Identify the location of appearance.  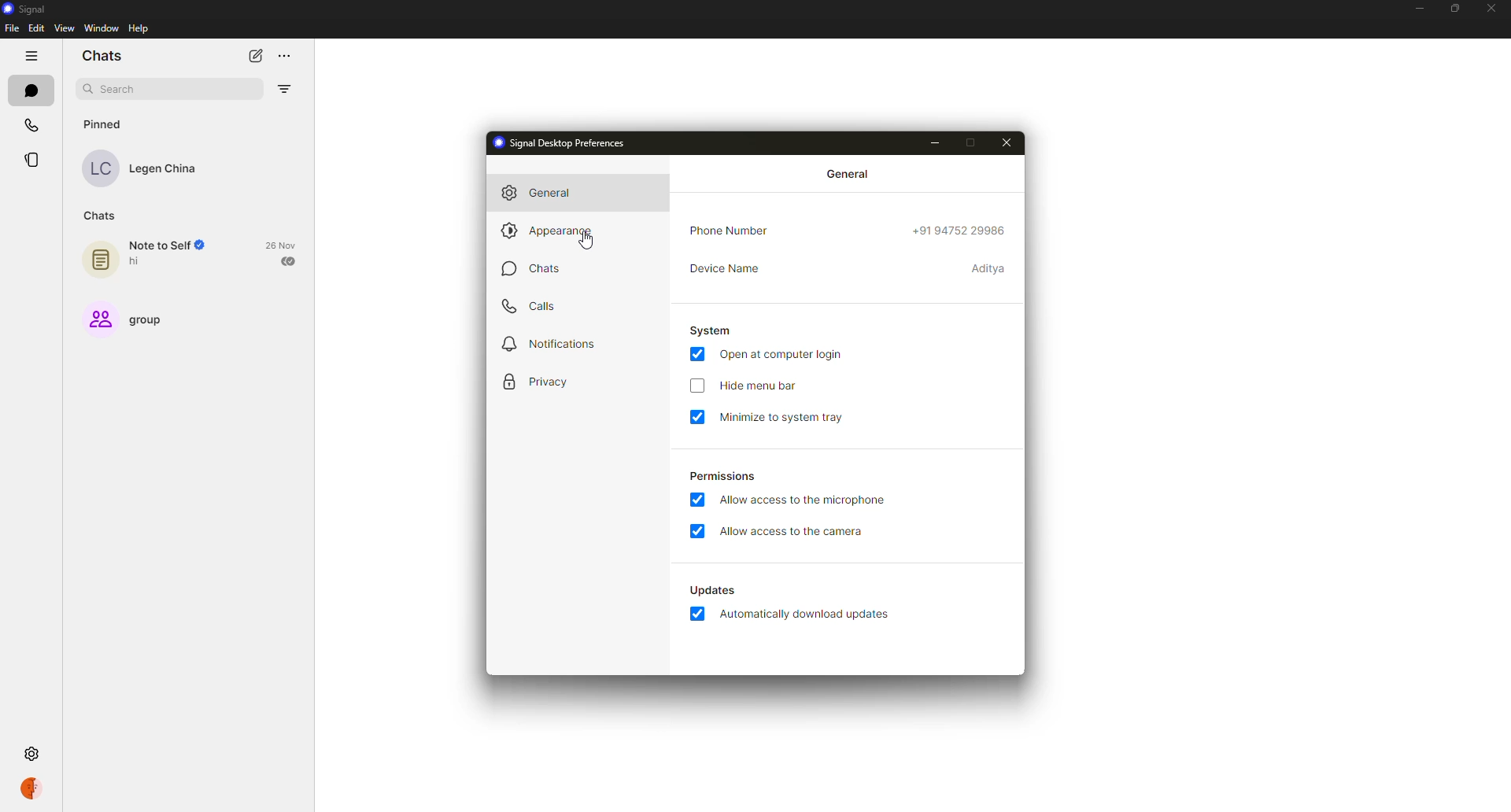
(548, 231).